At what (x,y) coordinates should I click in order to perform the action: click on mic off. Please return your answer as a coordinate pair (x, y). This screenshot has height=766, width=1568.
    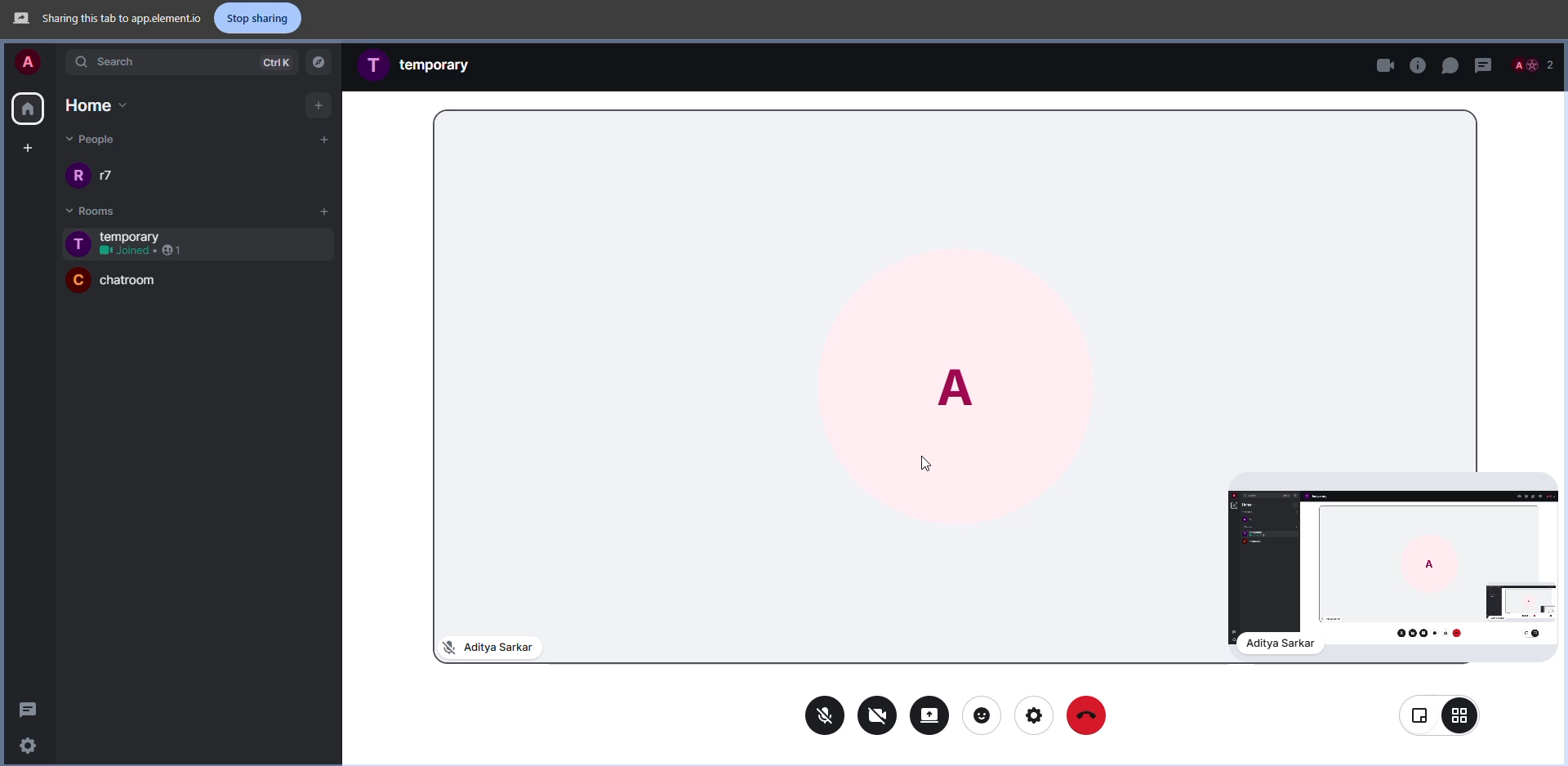
    Looking at the image, I should click on (826, 716).